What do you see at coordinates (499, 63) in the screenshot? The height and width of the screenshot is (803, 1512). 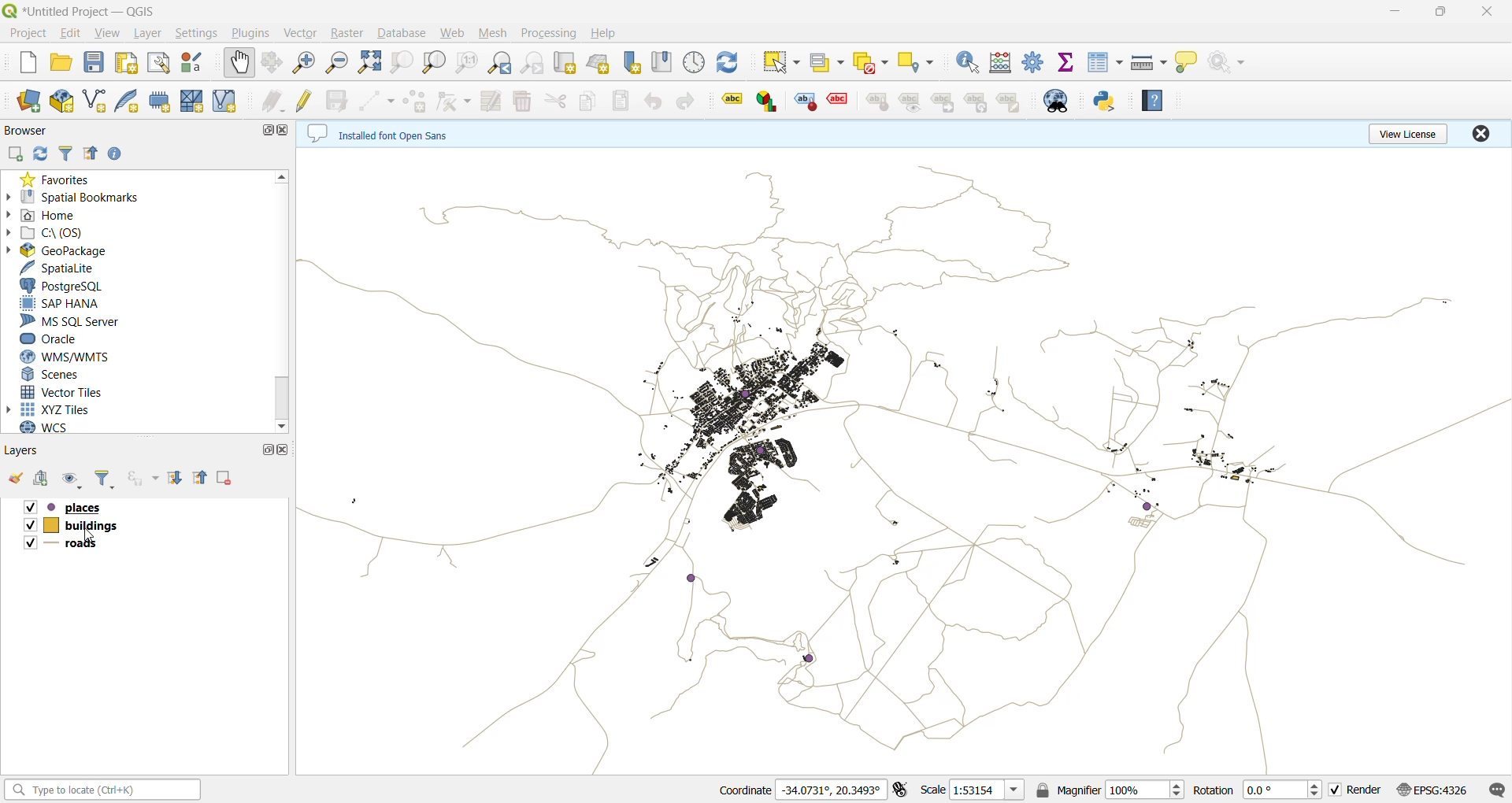 I see `zoom last` at bounding box center [499, 63].